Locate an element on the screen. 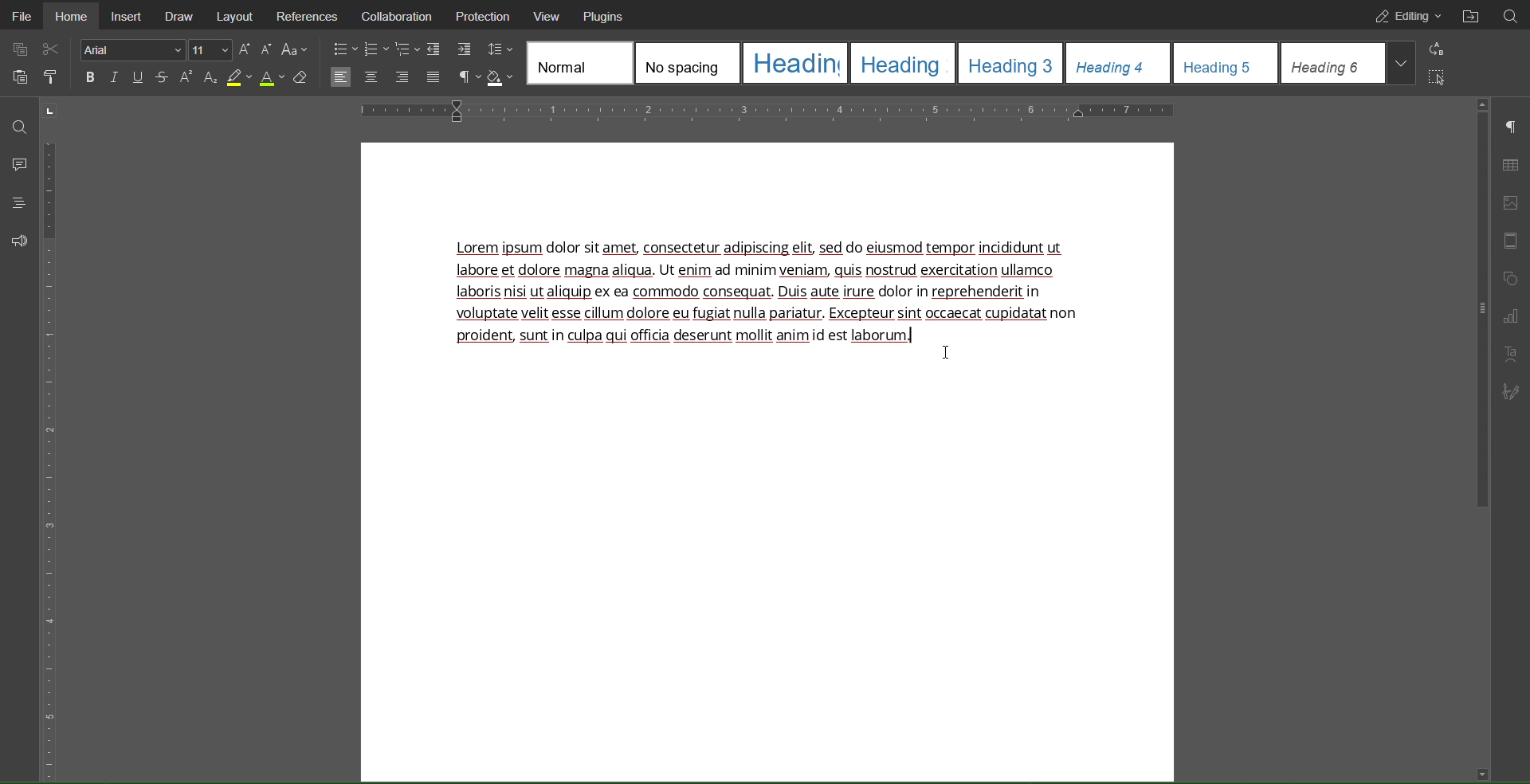 This screenshot has height=784, width=1530. Heading 5 is located at coordinates (1223, 63).